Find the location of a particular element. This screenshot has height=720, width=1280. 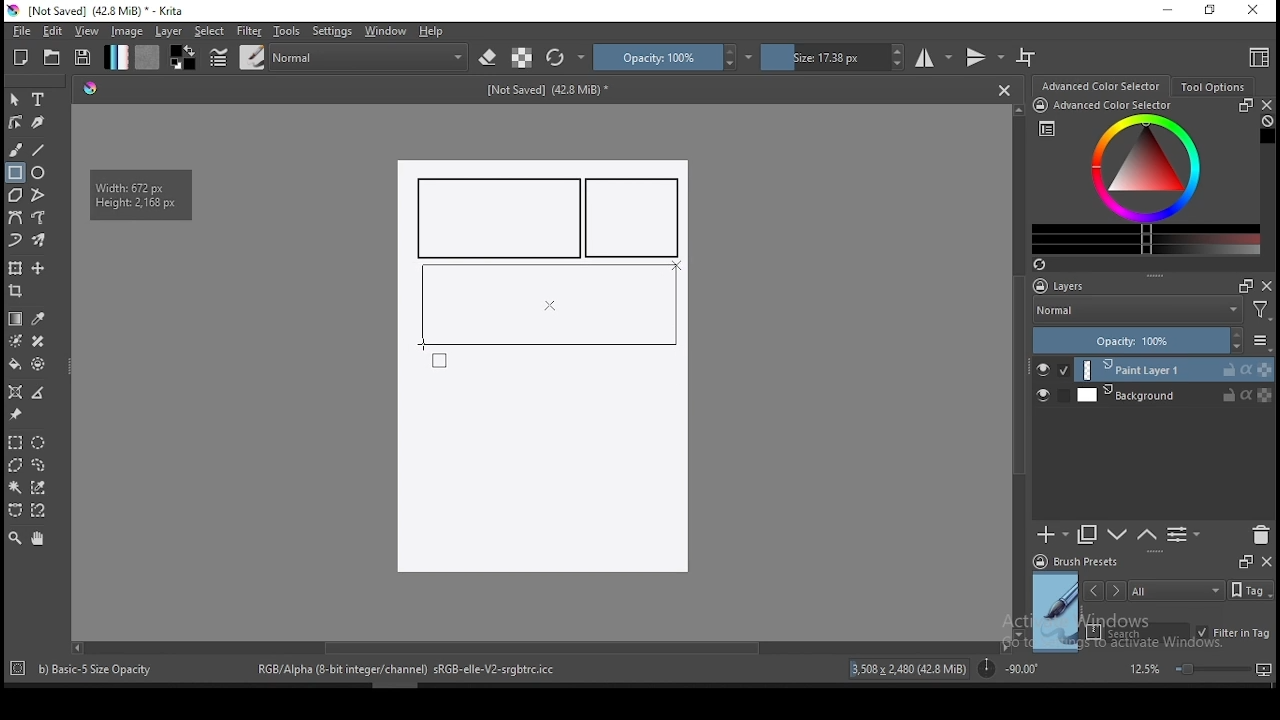

close docker is located at coordinates (1266, 105).